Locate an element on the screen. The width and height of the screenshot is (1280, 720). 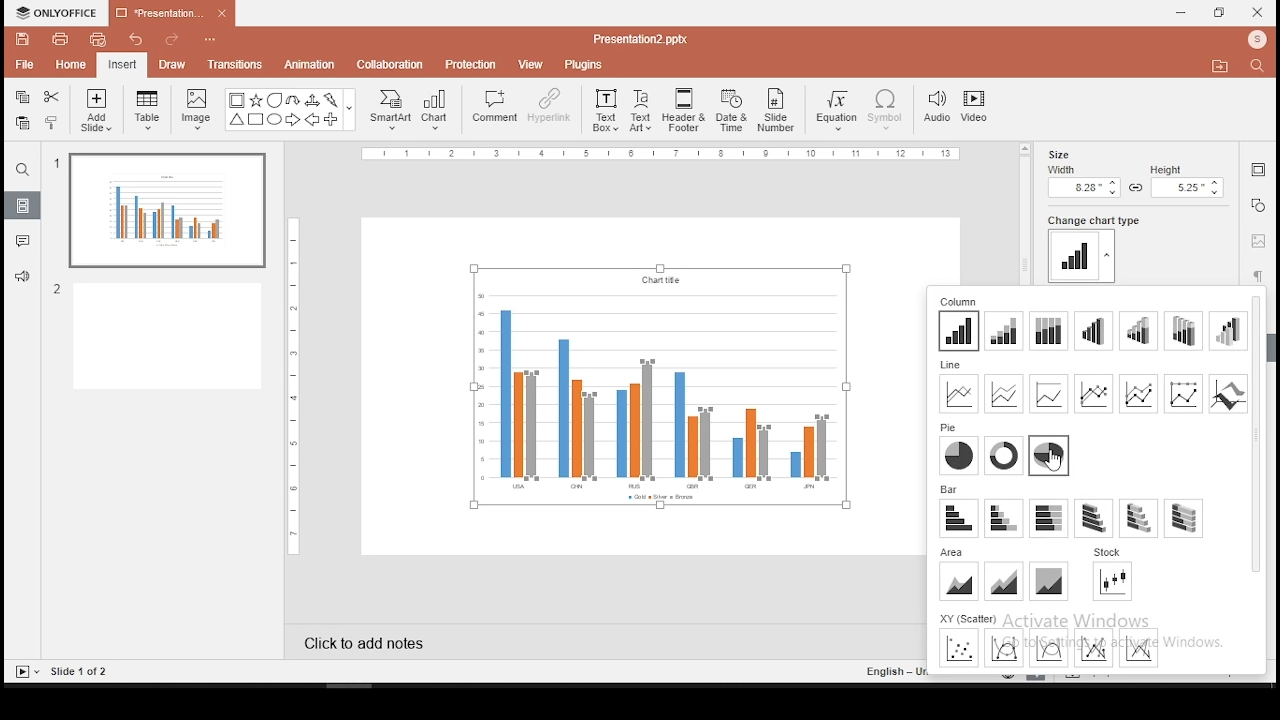
stock is located at coordinates (1114, 582).